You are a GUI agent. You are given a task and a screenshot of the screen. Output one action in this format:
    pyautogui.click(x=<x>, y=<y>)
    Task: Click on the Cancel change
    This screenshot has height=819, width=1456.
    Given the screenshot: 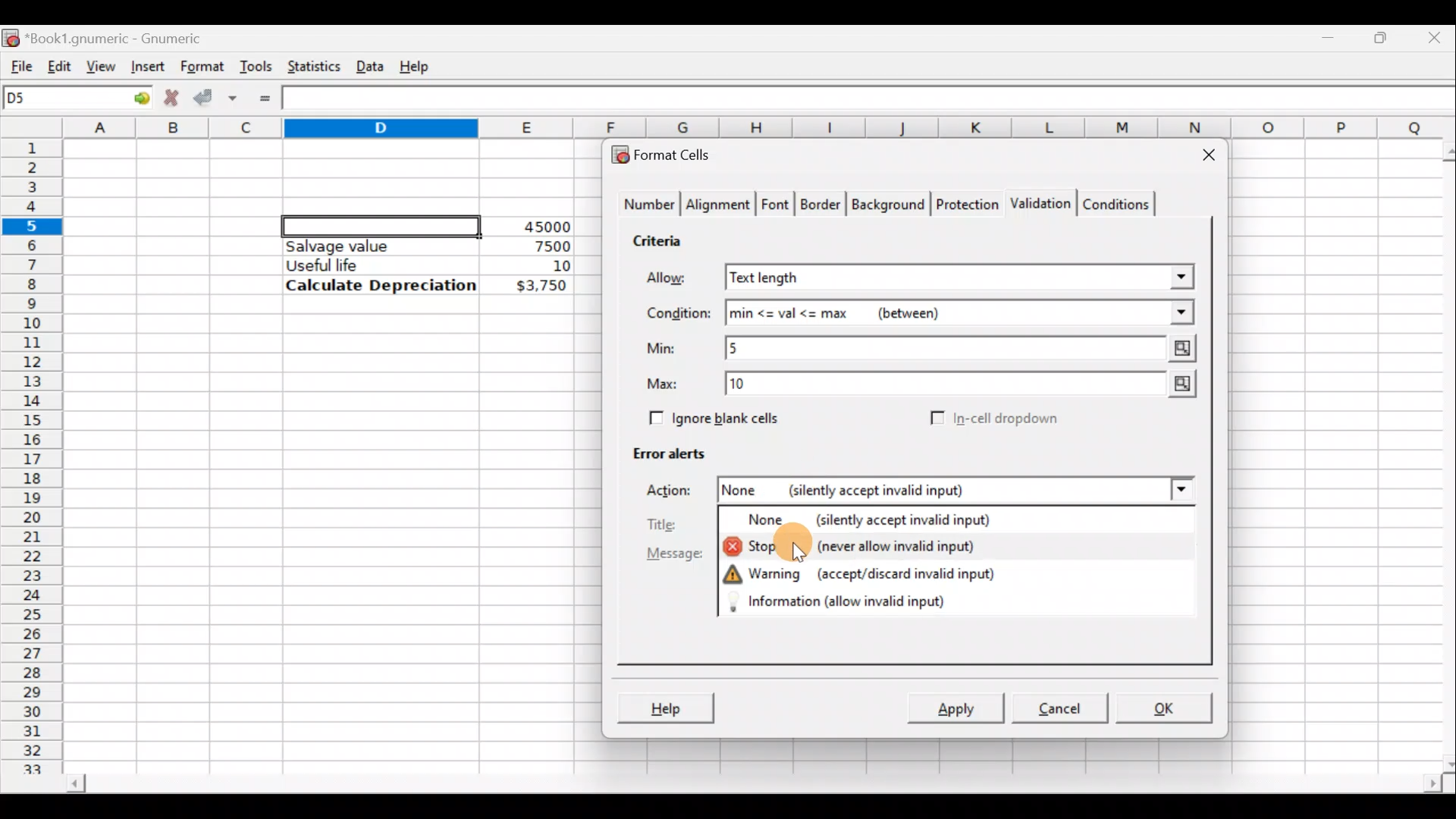 What is the action you would take?
    pyautogui.click(x=170, y=96)
    